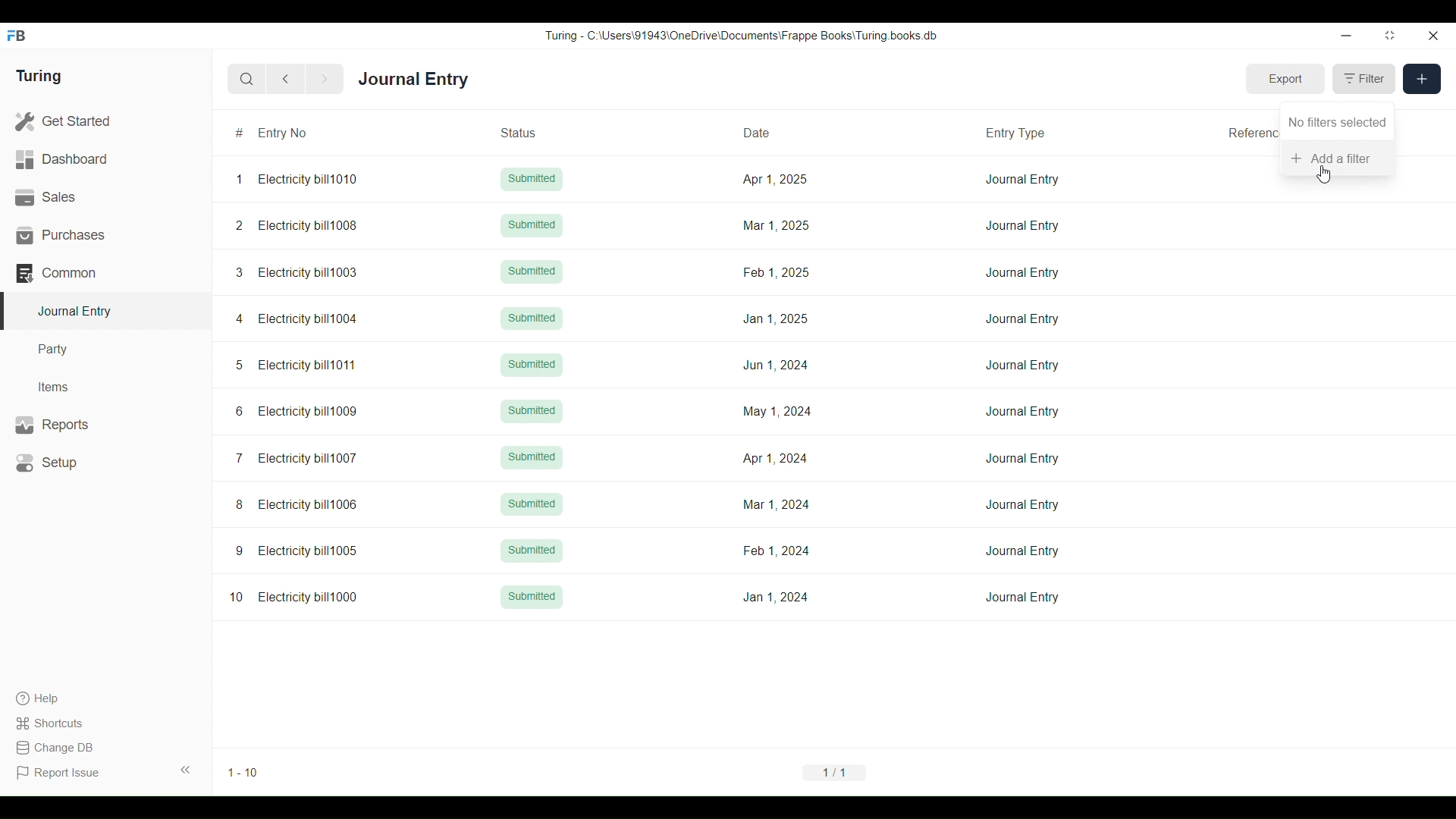 The image size is (1456, 819). What do you see at coordinates (58, 773) in the screenshot?
I see `Report Issue` at bounding box center [58, 773].